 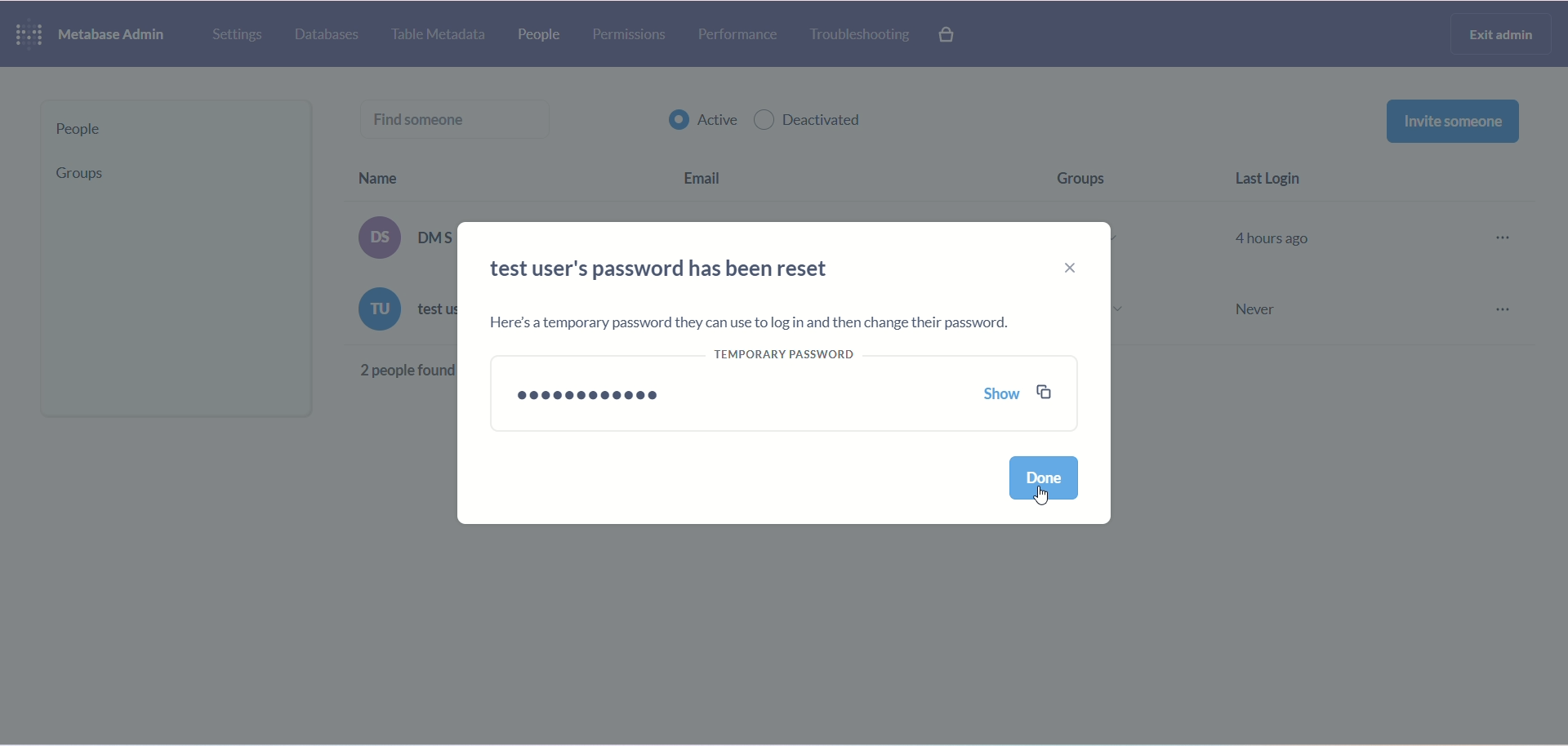 I want to click on 2 people found, so click(x=399, y=370).